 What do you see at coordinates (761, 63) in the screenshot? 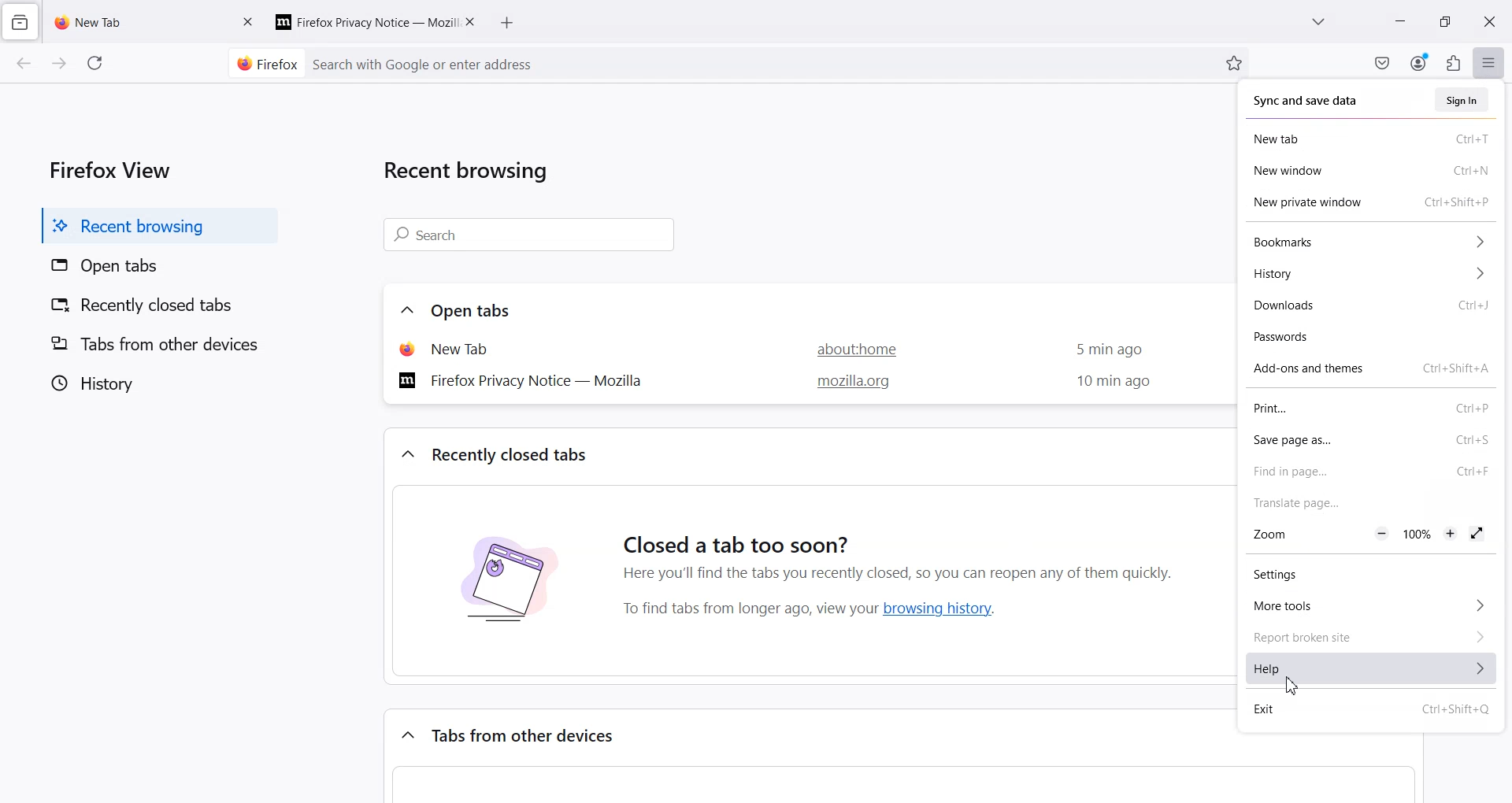
I see `Search with google or enter address` at bounding box center [761, 63].